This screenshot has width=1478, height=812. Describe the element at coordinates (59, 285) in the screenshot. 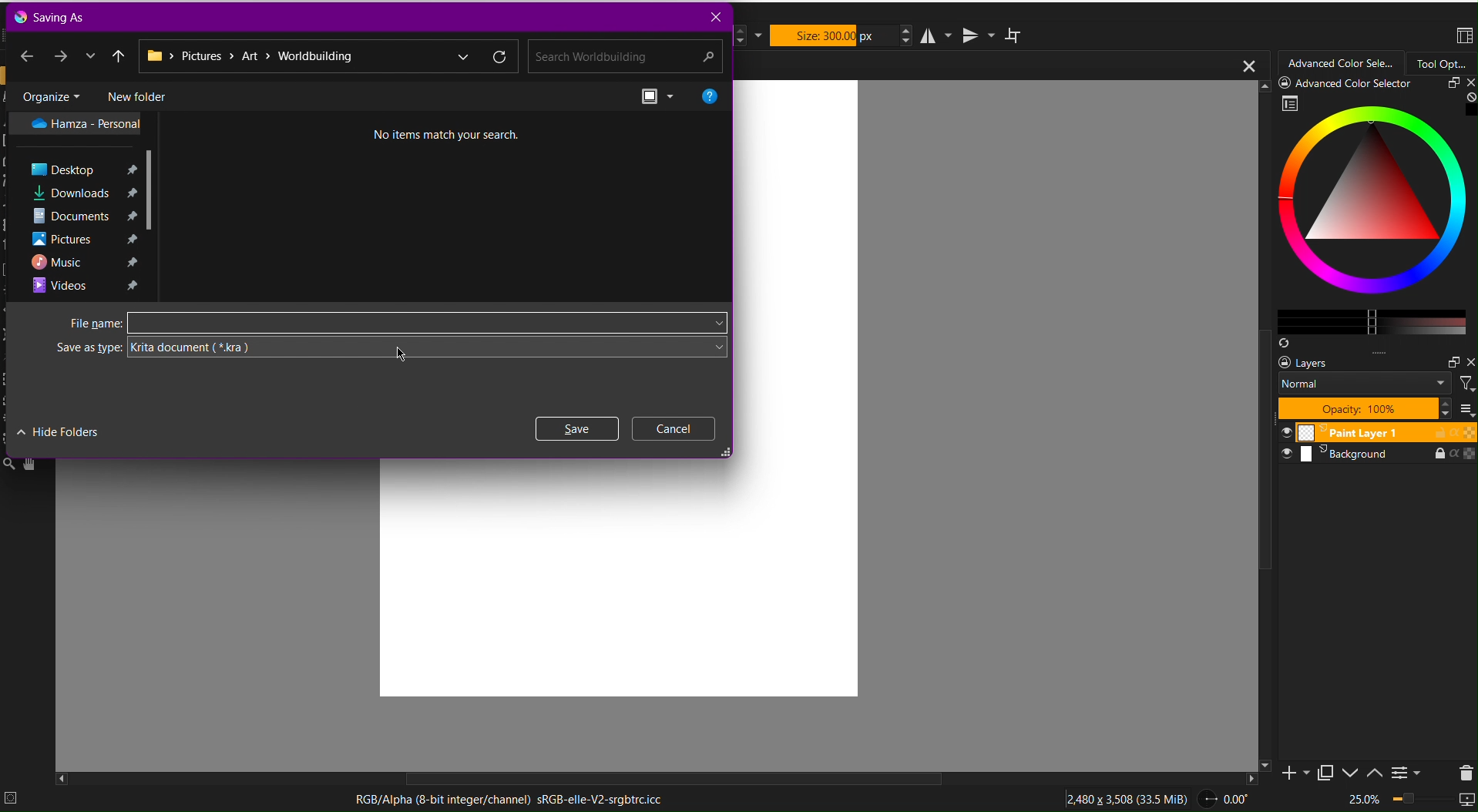

I see `Videos` at that location.